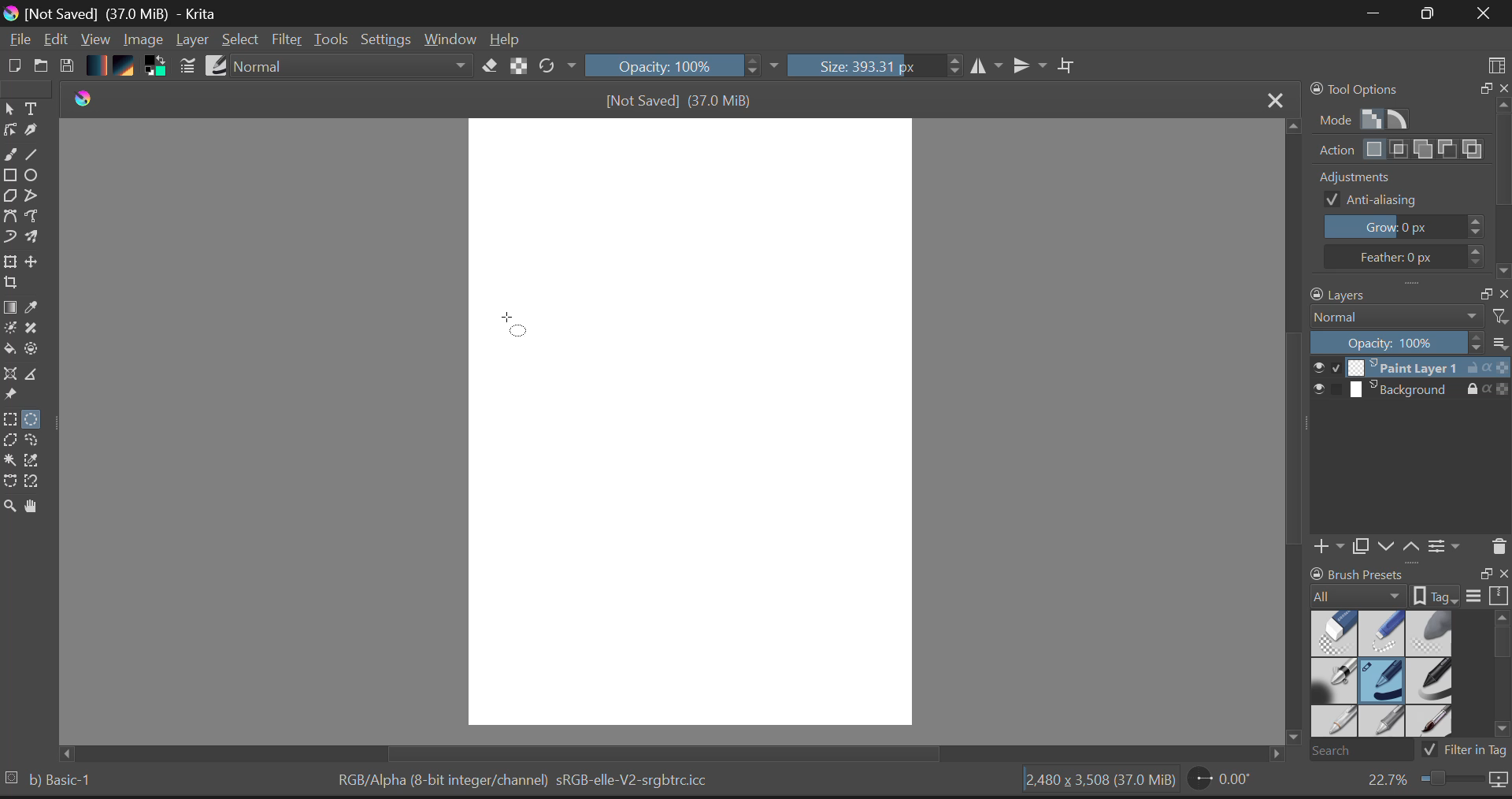 The image size is (1512, 799). Describe the element at coordinates (15, 65) in the screenshot. I see `New` at that location.